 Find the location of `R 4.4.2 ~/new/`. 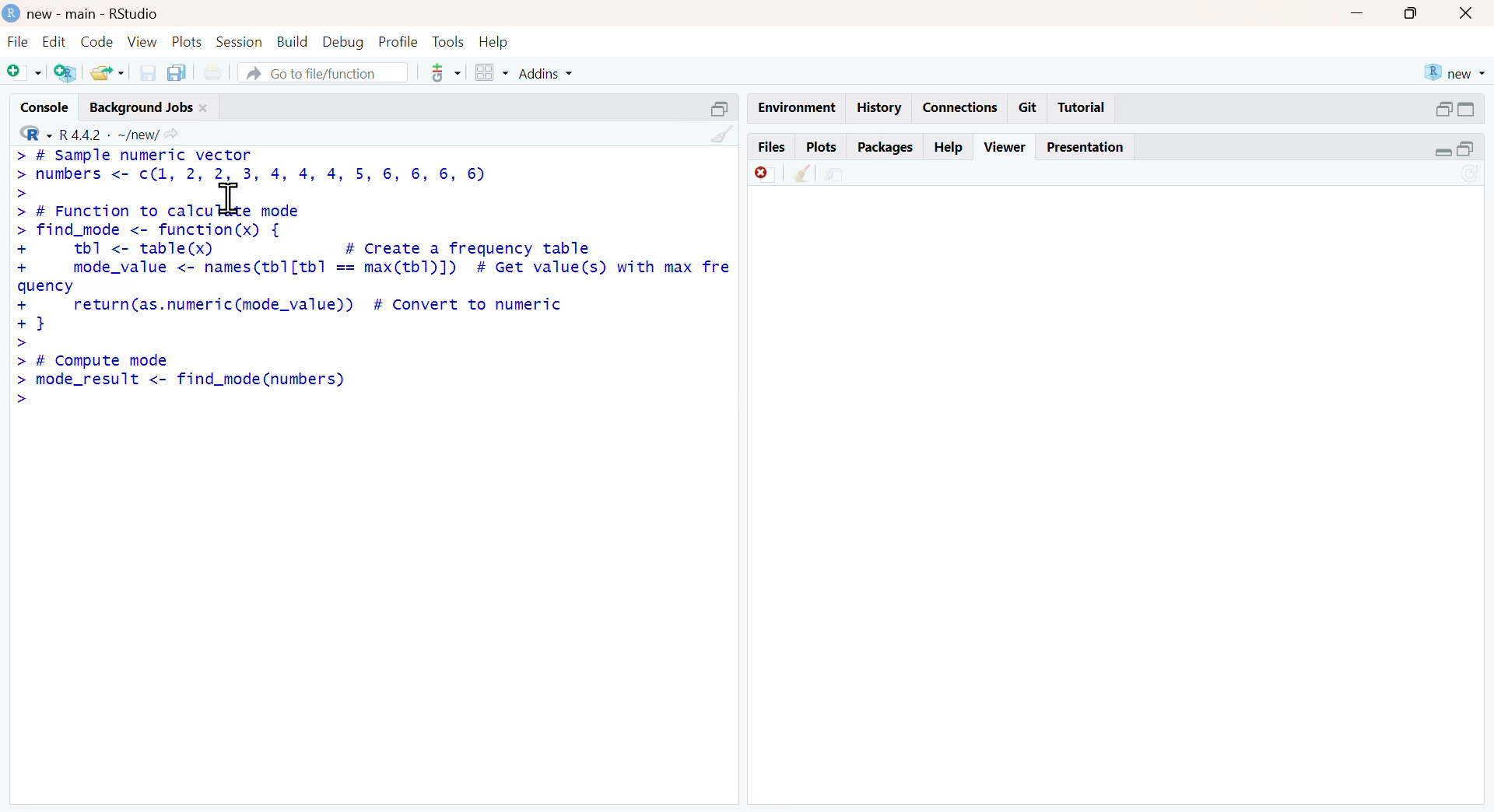

R 4.4.2 ~/new/ is located at coordinates (109, 135).